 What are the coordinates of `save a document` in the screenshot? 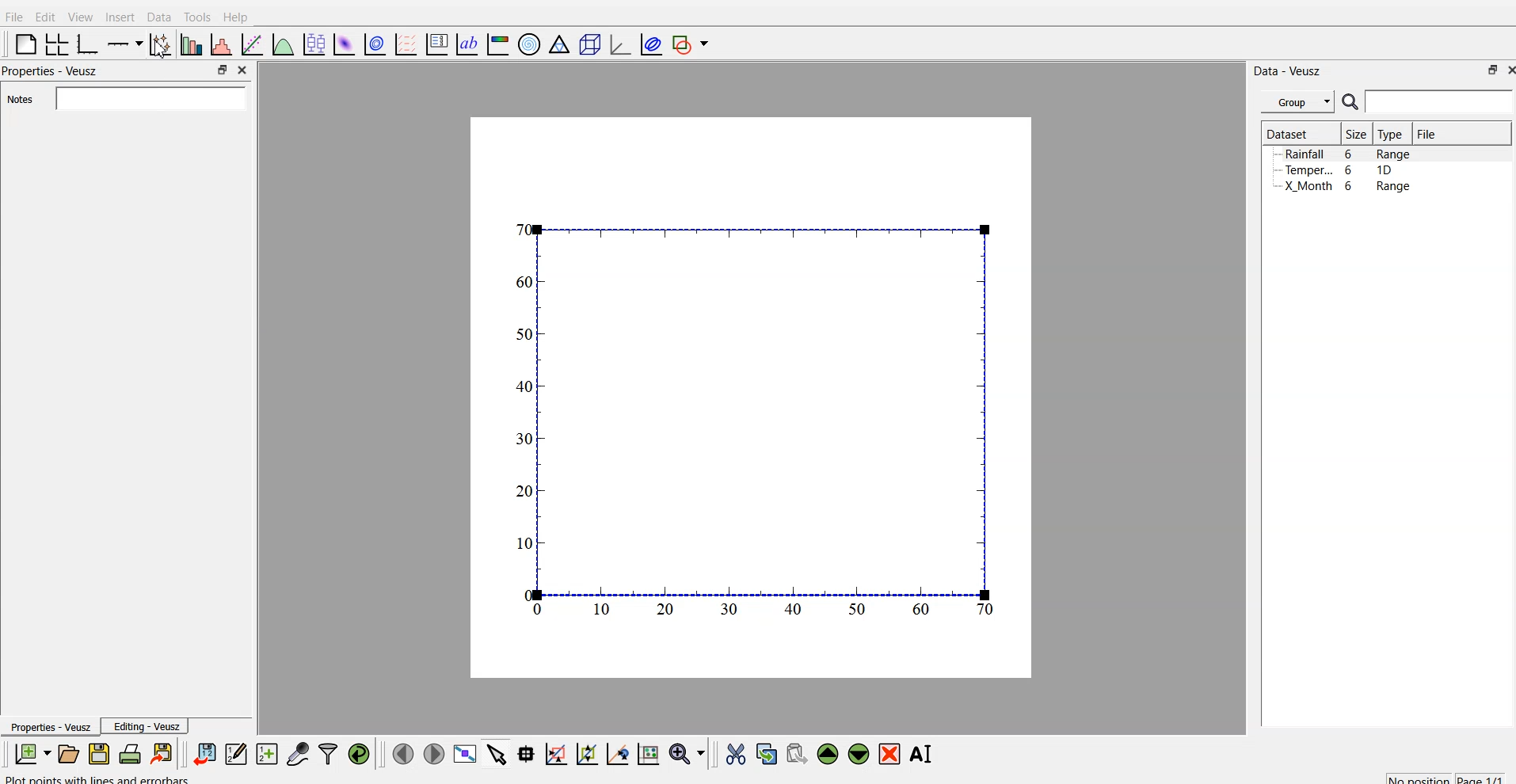 It's located at (97, 753).